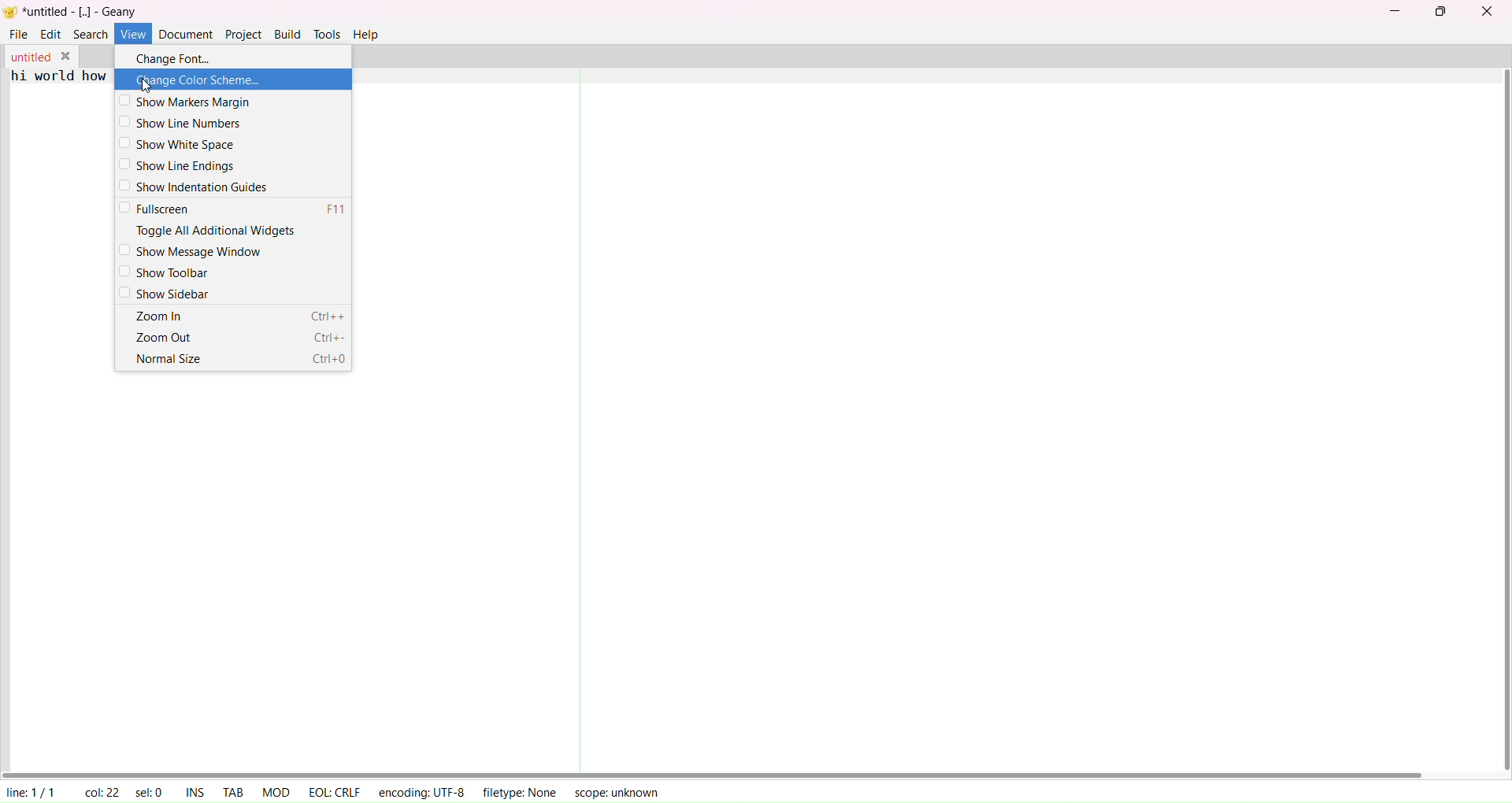 Image resolution: width=1512 pixels, height=803 pixels. What do you see at coordinates (150, 790) in the screenshot?
I see `selected` at bounding box center [150, 790].